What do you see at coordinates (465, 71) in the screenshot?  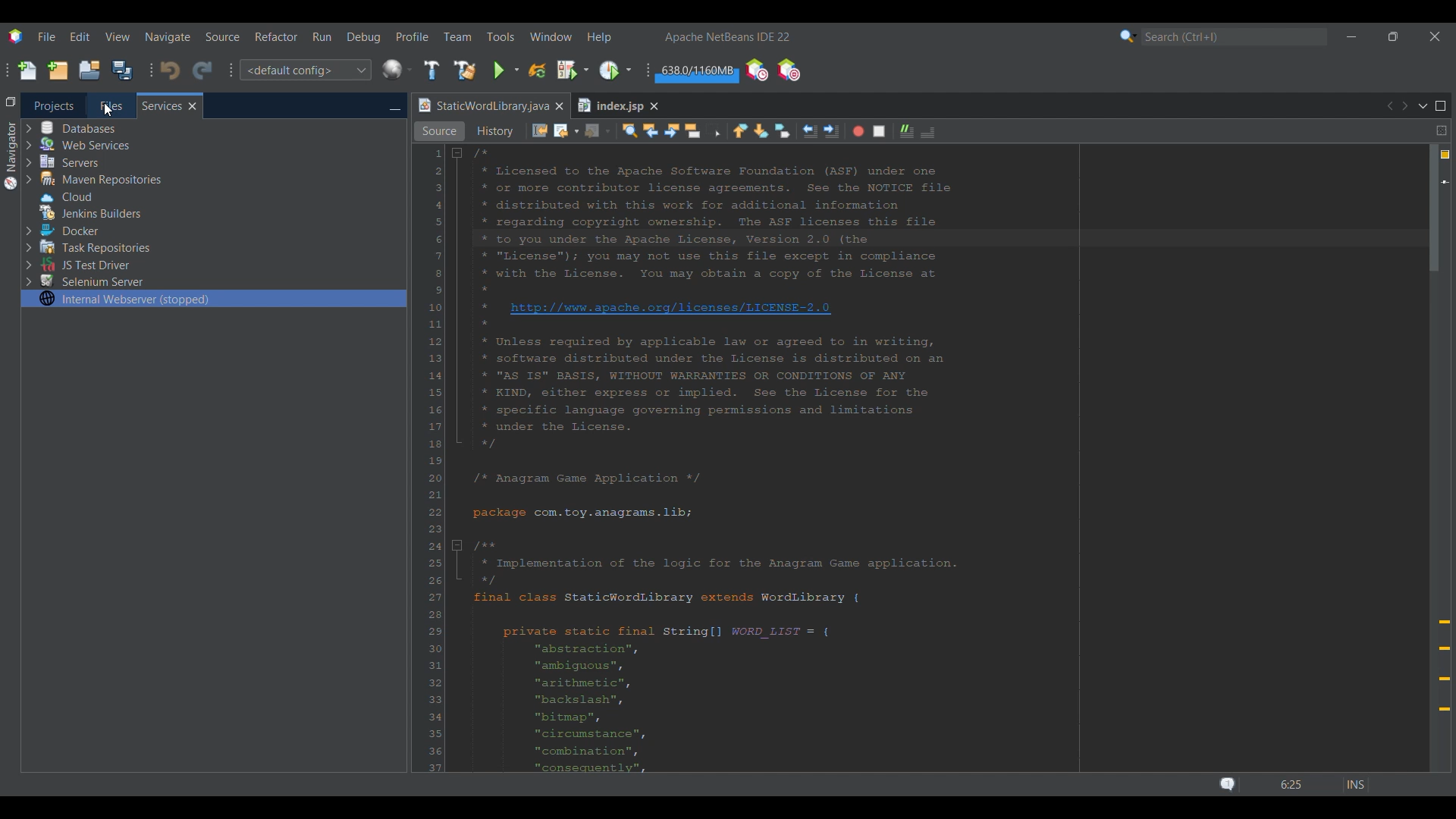 I see `Clean and build main project` at bounding box center [465, 71].